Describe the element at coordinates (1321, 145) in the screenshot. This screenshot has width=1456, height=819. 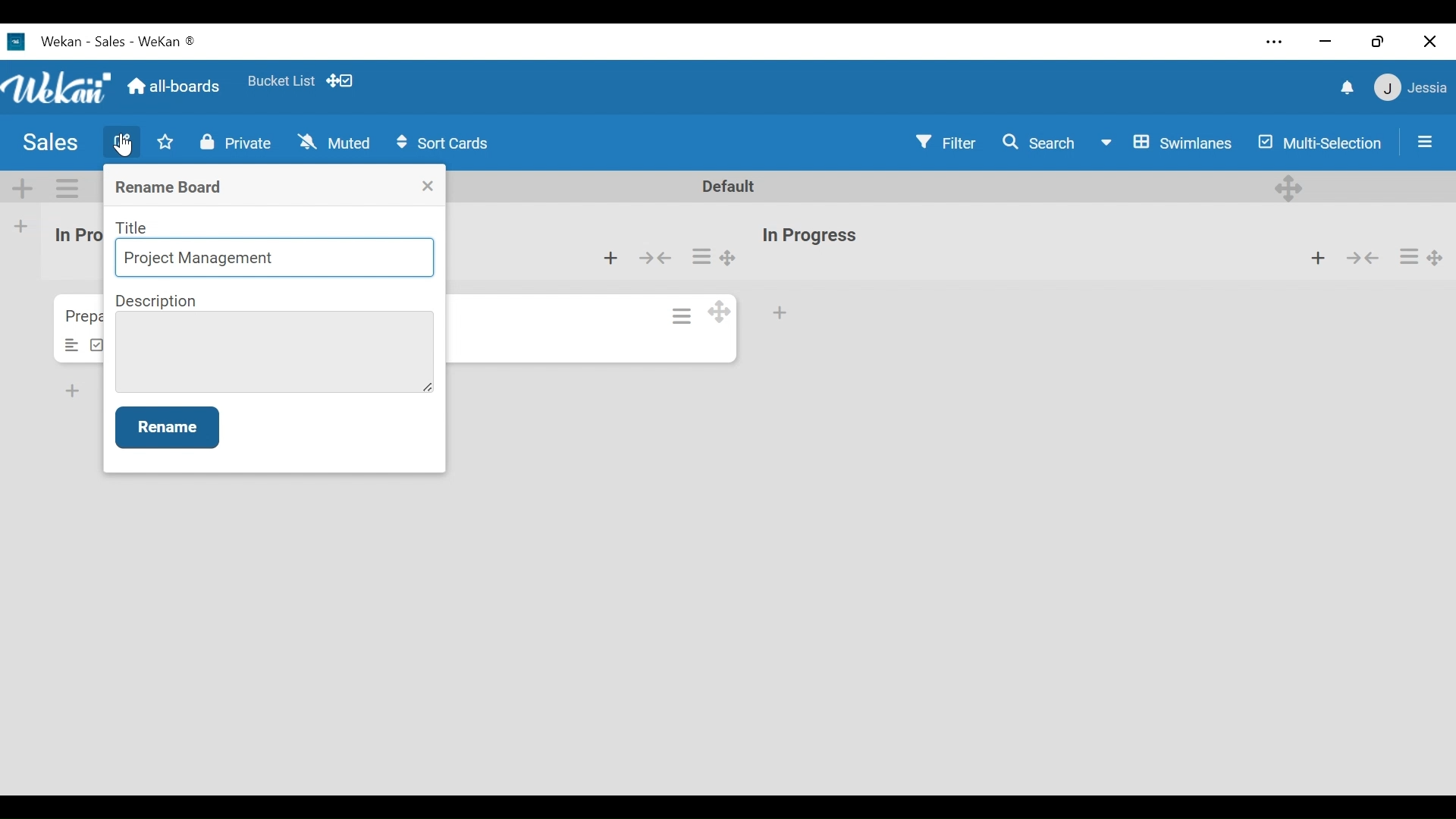
I see `Multi Selection` at that location.